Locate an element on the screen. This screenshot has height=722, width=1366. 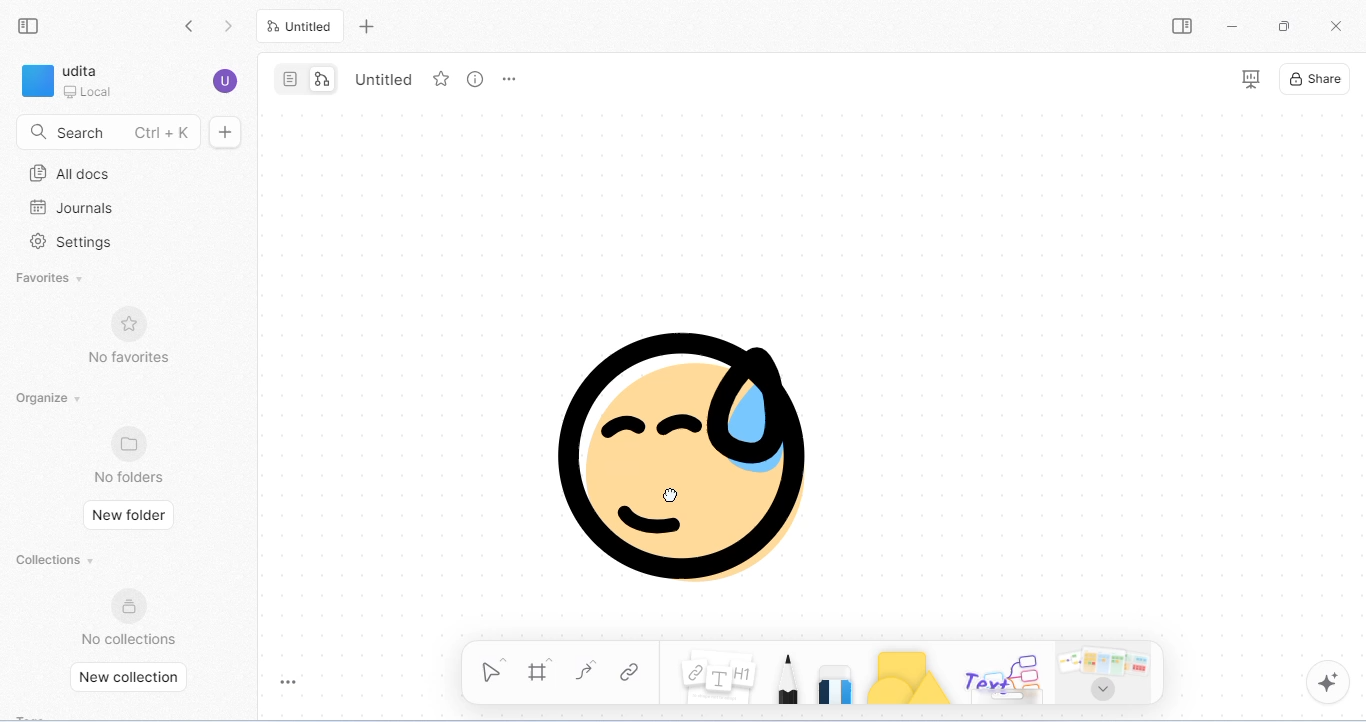
open side bar is located at coordinates (1183, 26).